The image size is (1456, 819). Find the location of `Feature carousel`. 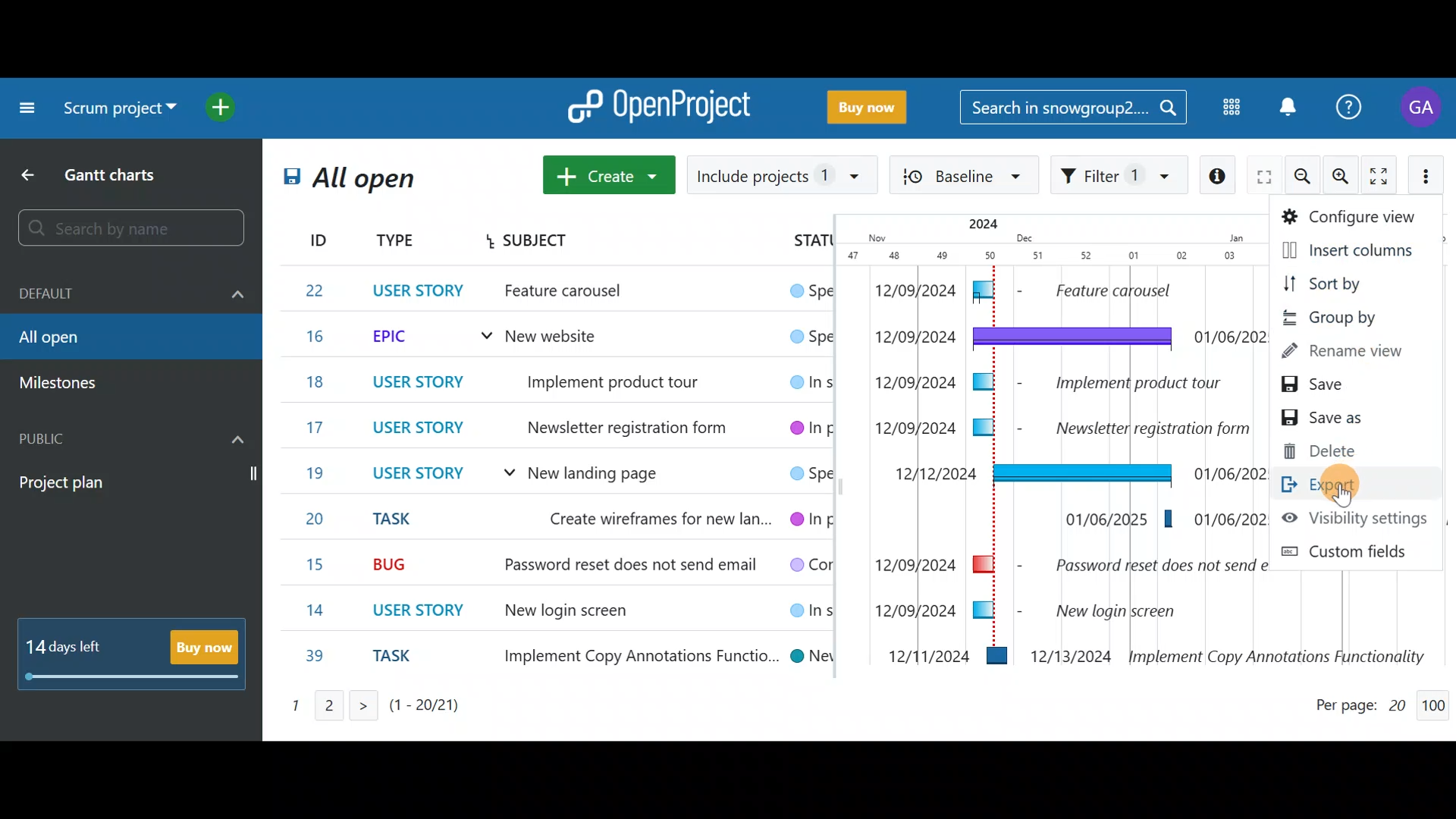

Feature carousel is located at coordinates (588, 293).